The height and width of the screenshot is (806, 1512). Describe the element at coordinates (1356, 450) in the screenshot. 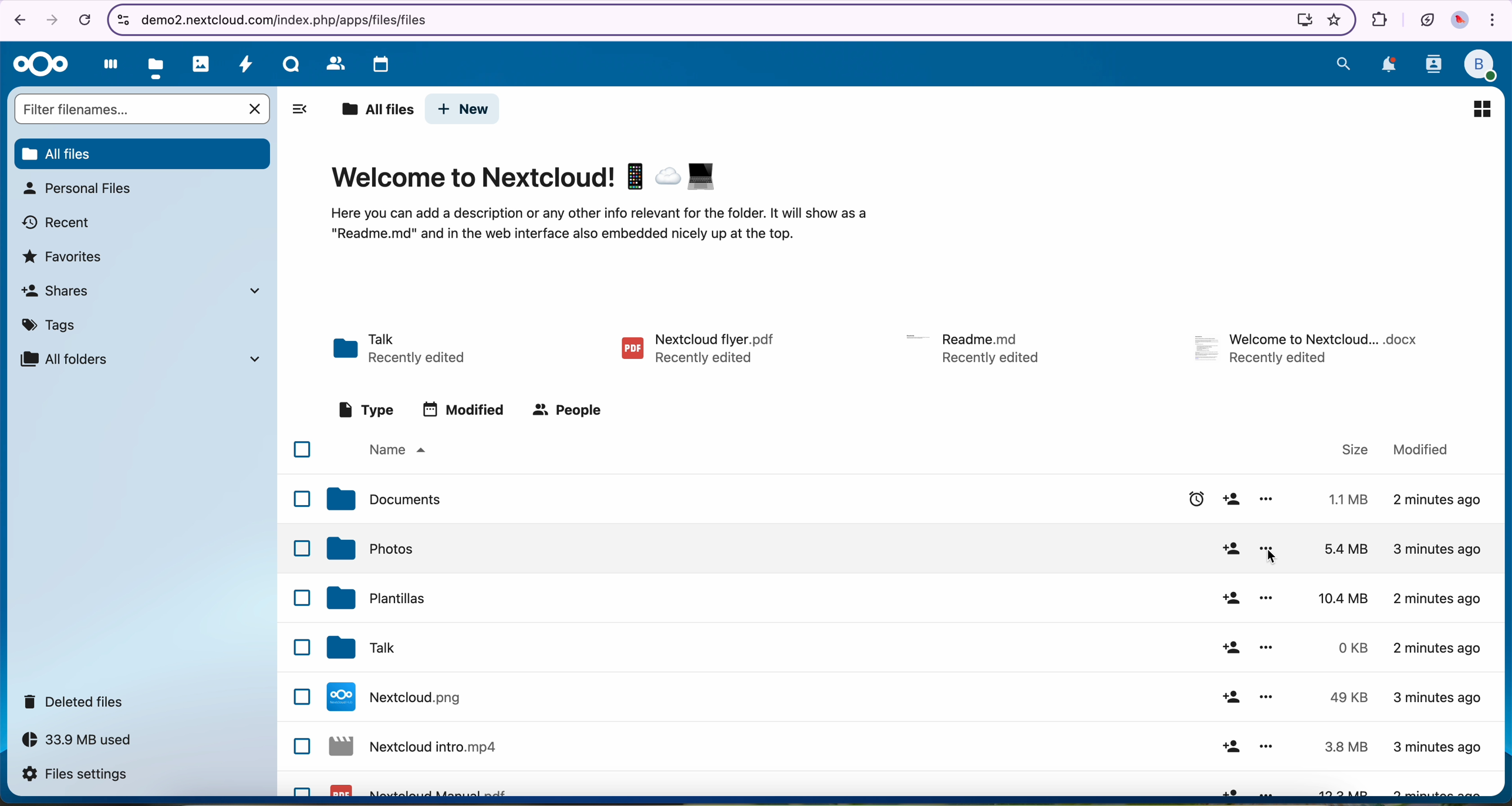

I see `size` at that location.